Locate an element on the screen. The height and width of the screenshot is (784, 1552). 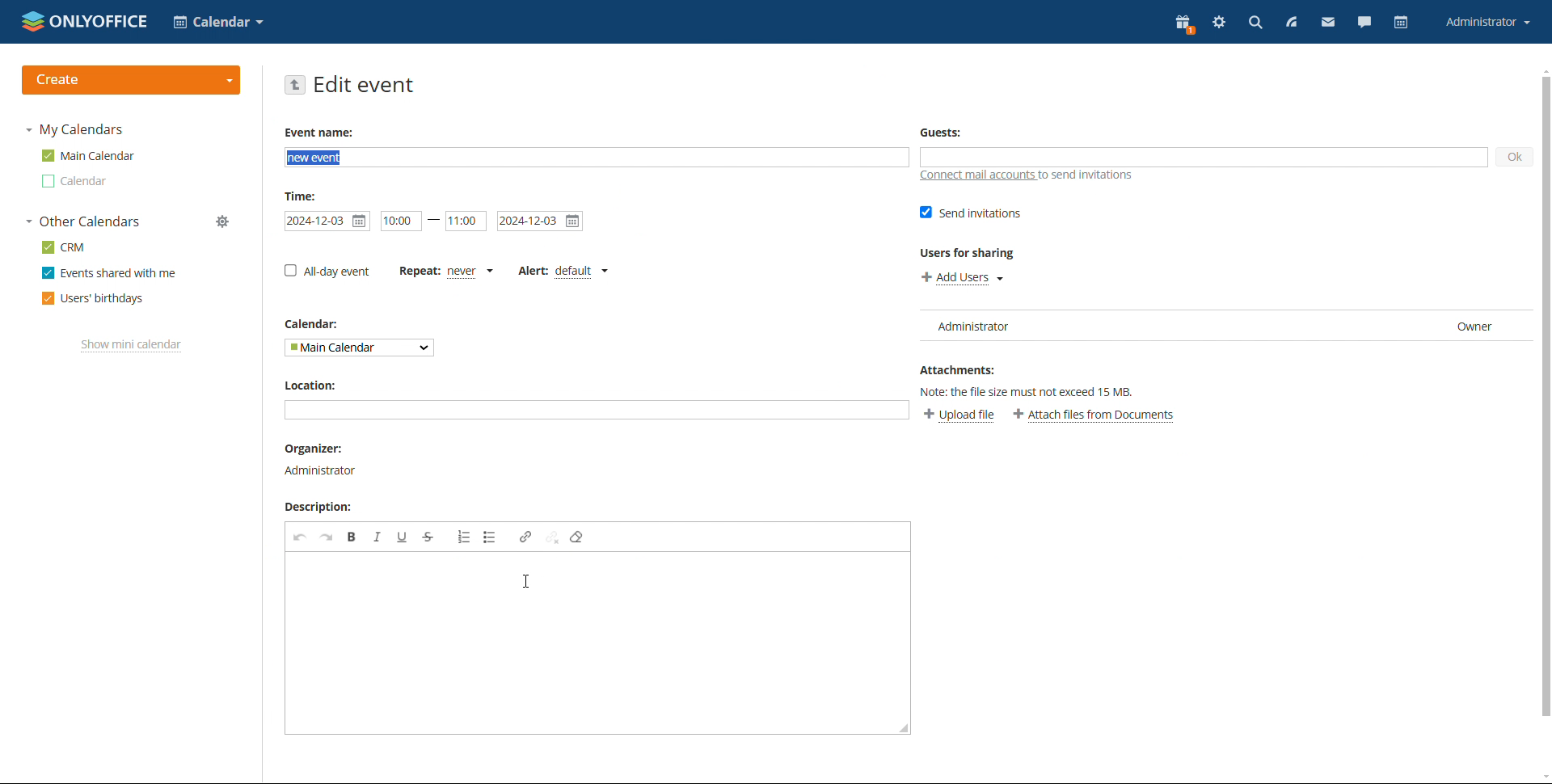
manage is located at coordinates (222, 221).